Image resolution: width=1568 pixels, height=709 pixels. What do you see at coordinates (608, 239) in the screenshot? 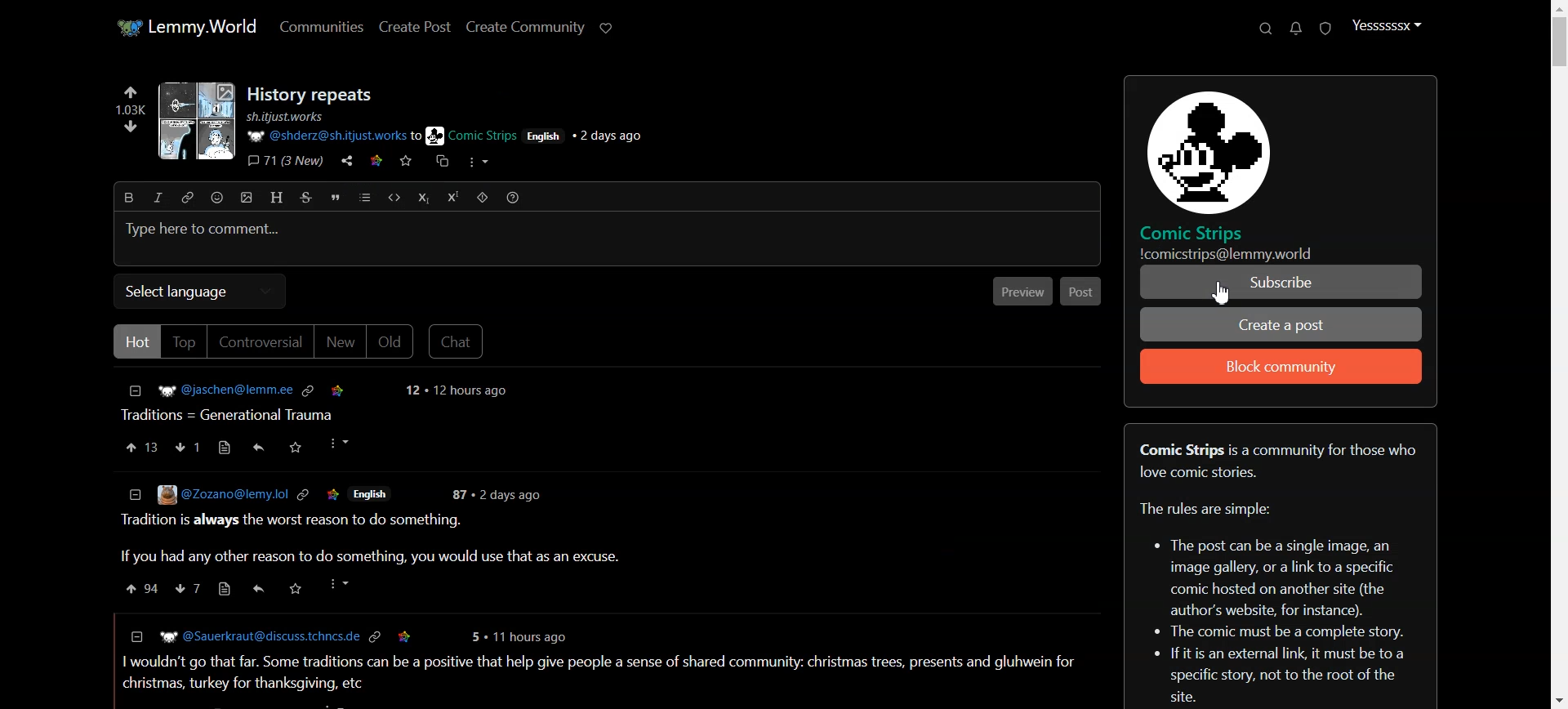
I see `typing window` at bounding box center [608, 239].